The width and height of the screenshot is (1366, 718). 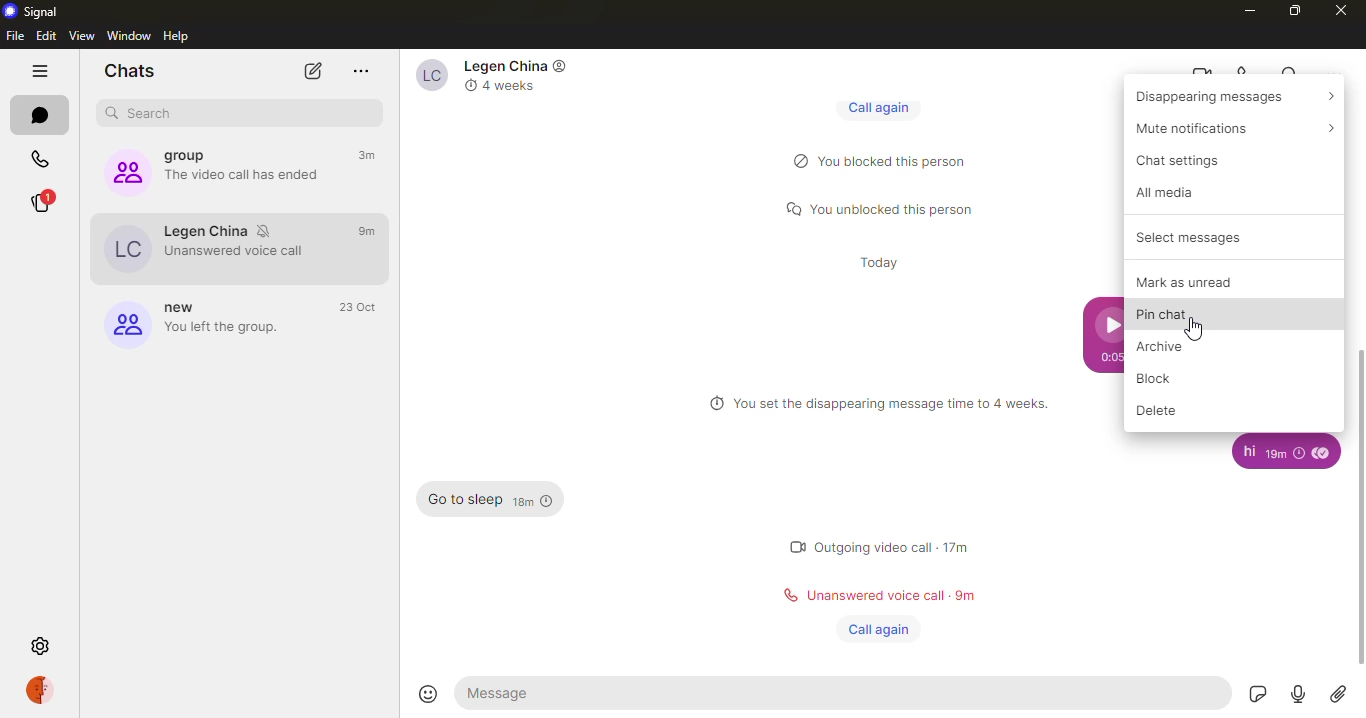 I want to click on status message, so click(x=852, y=549).